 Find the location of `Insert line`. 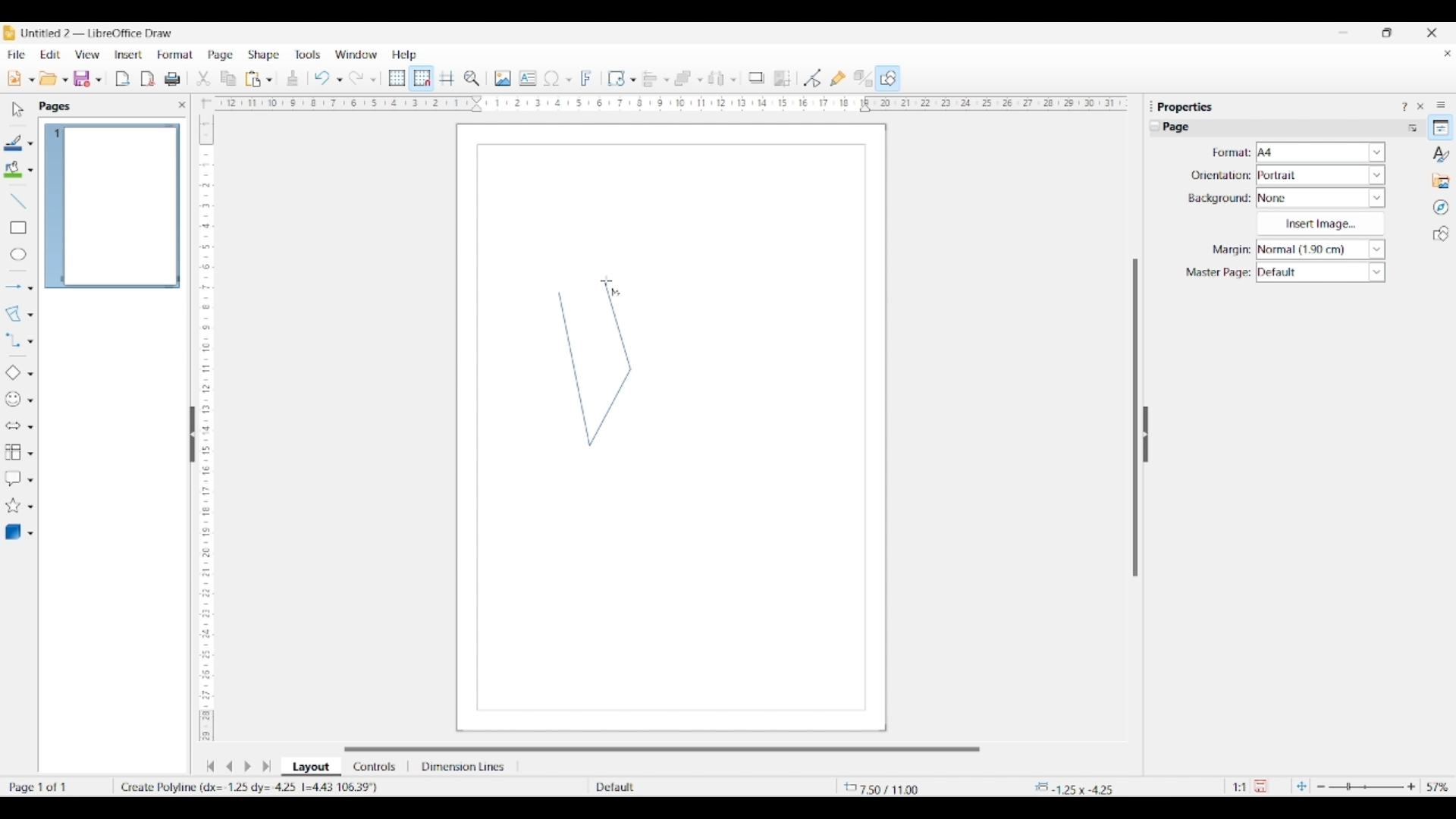

Insert line is located at coordinates (17, 200).